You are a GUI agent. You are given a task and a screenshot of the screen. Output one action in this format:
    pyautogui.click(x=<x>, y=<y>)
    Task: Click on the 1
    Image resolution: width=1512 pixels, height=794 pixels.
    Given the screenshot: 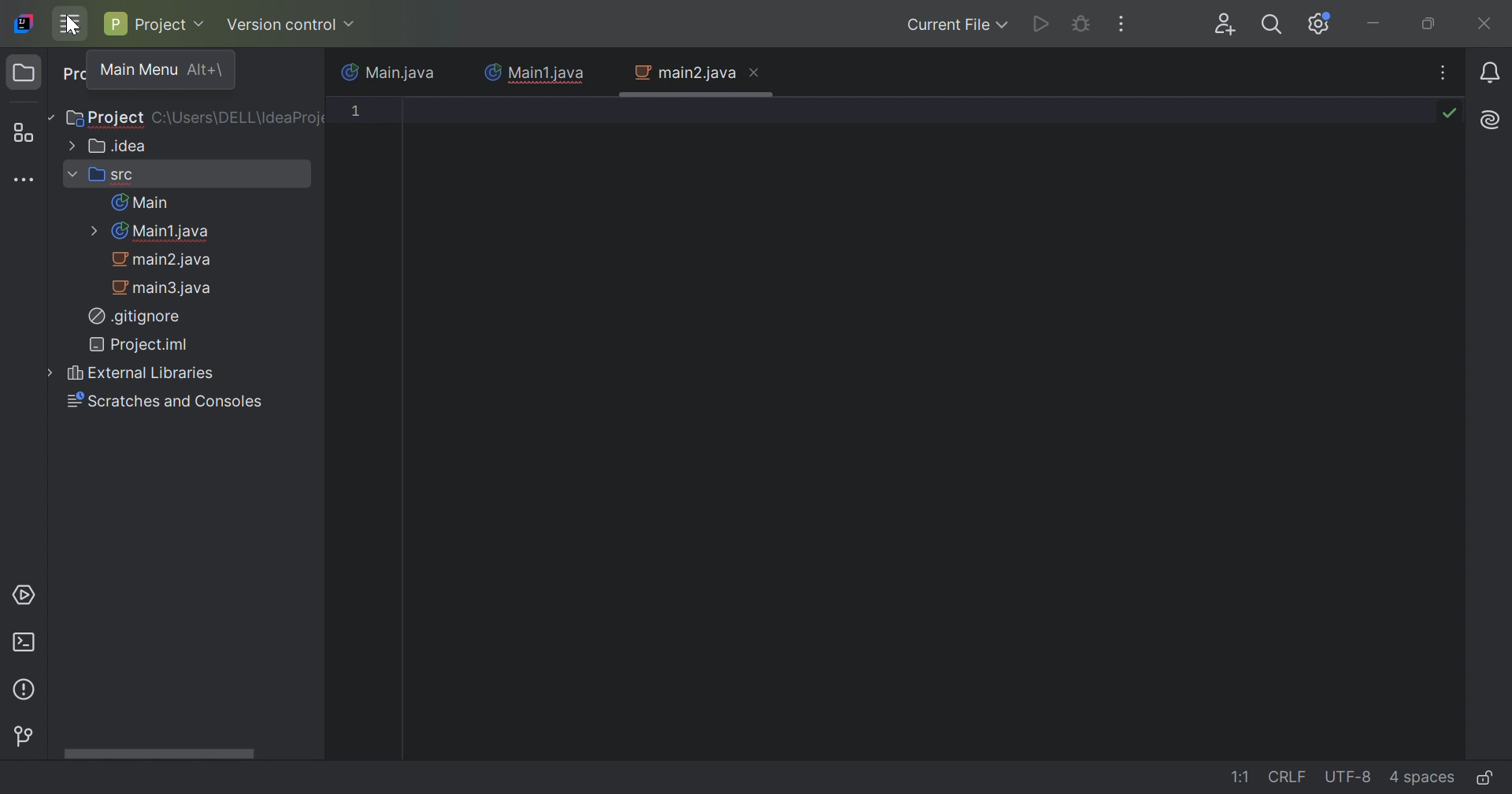 What is the action you would take?
    pyautogui.click(x=358, y=113)
    